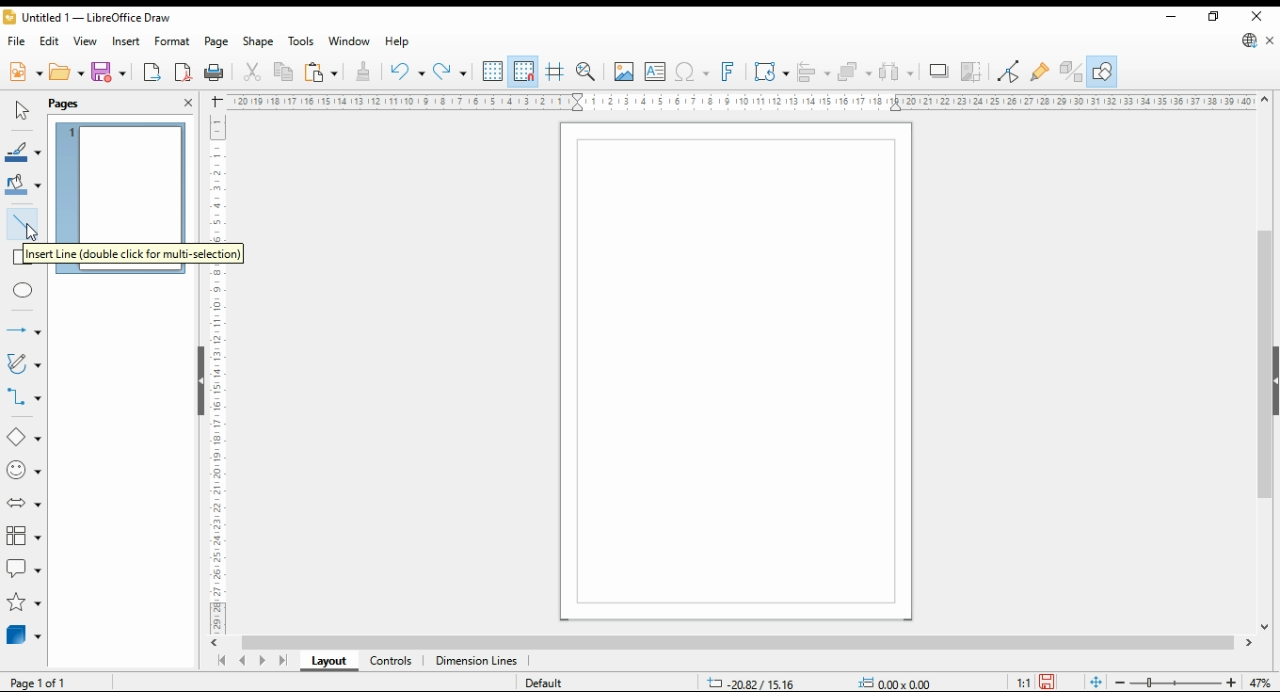  What do you see at coordinates (123, 175) in the screenshot?
I see `page 1` at bounding box center [123, 175].